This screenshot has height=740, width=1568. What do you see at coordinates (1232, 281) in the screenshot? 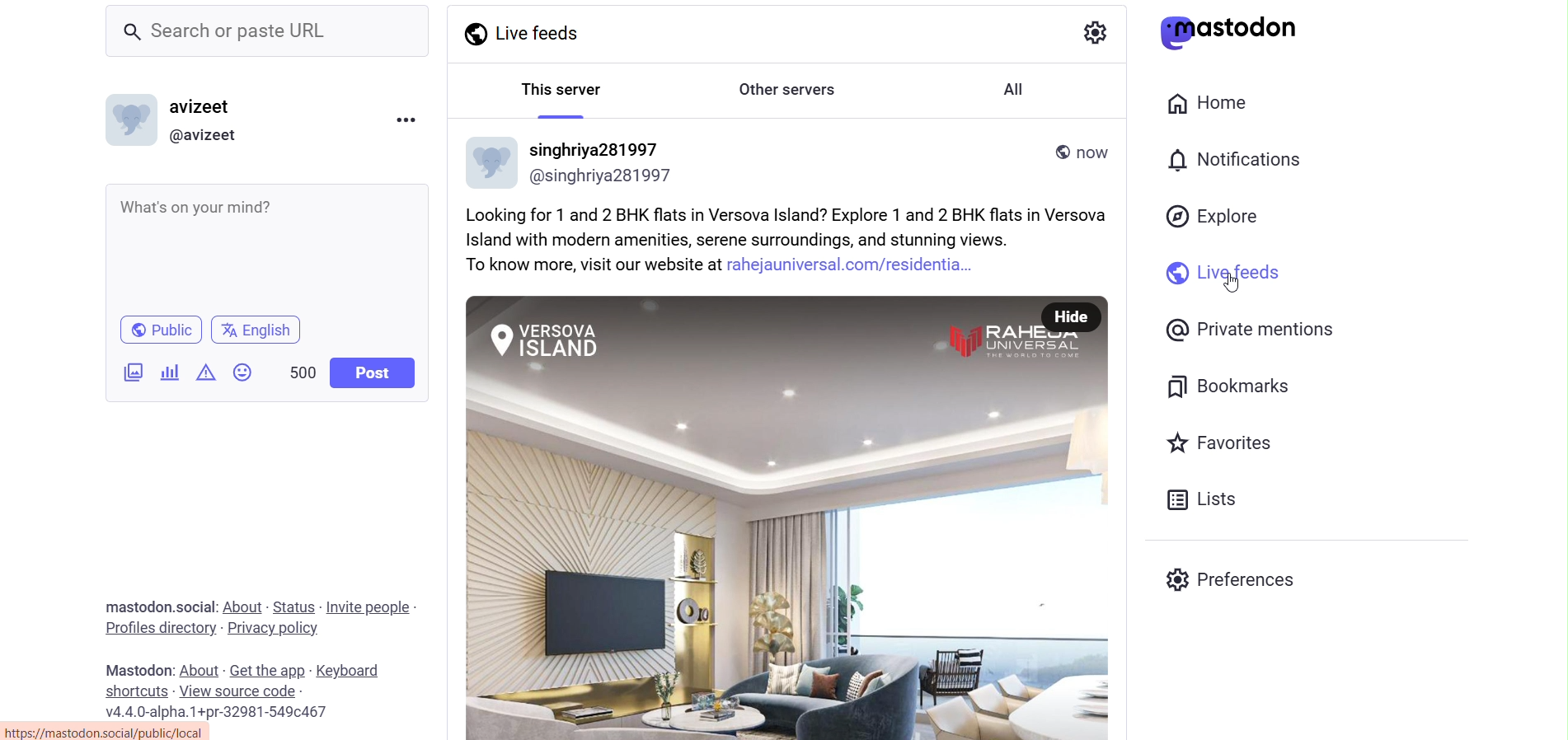
I see `Cursor` at bounding box center [1232, 281].